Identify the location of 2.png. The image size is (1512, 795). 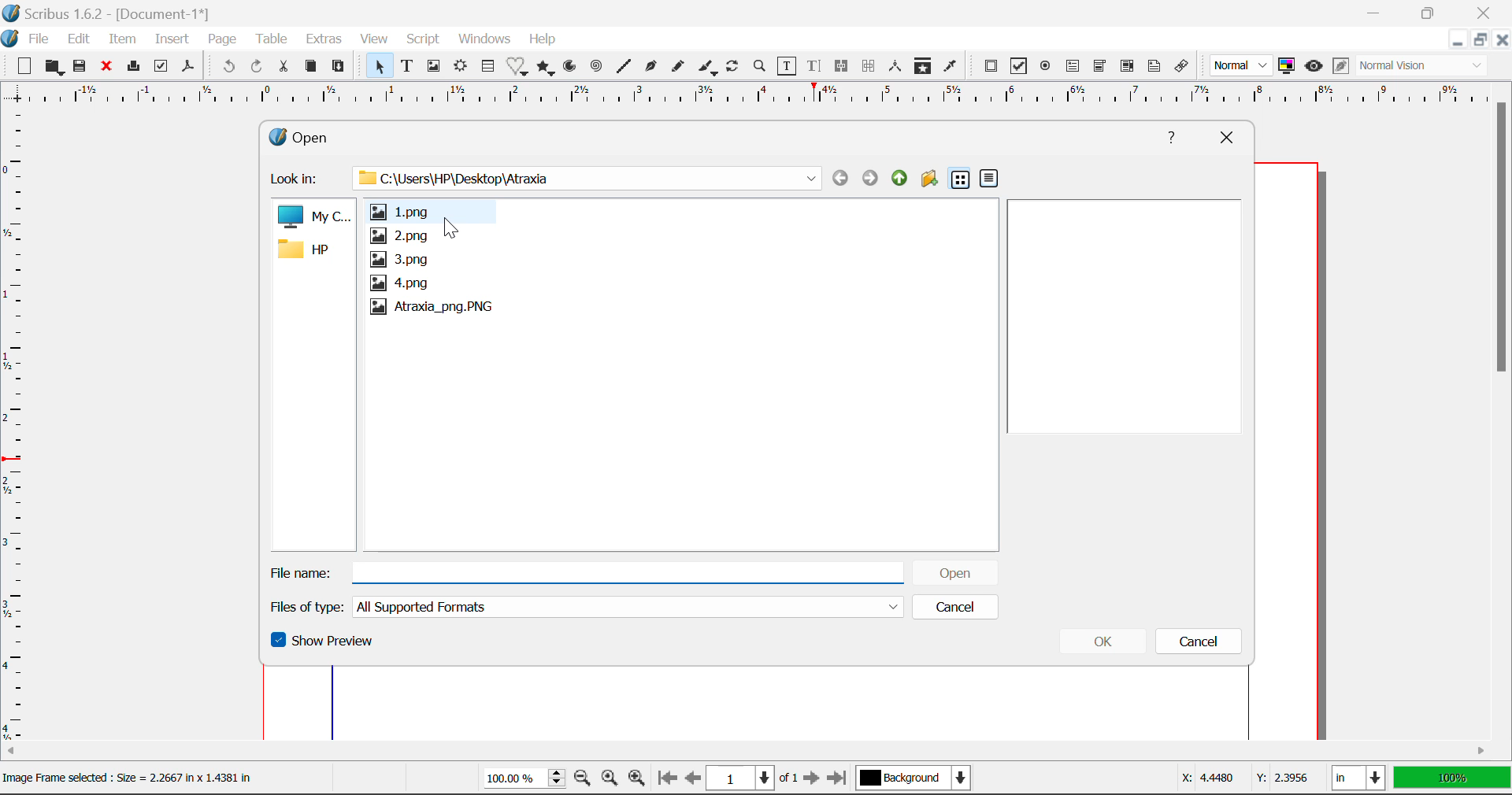
(398, 236).